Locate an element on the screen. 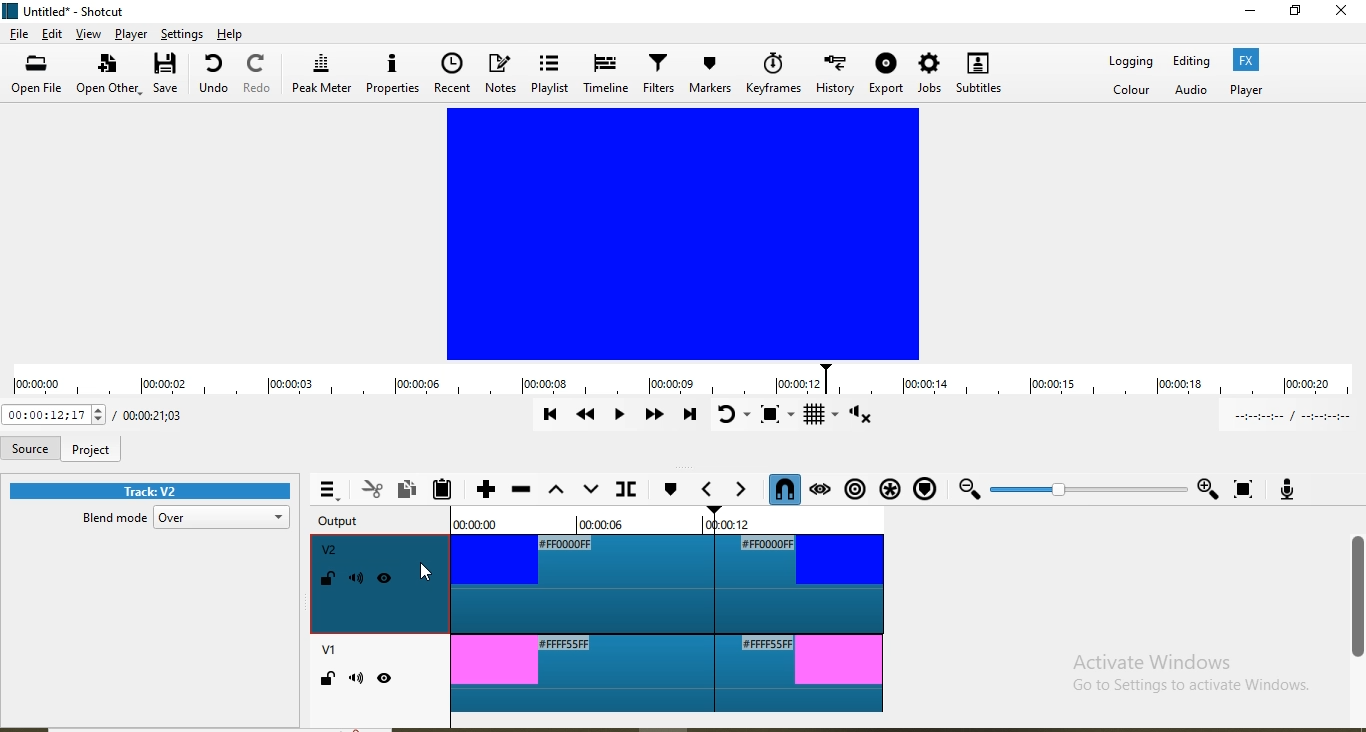  file name is located at coordinates (72, 9).